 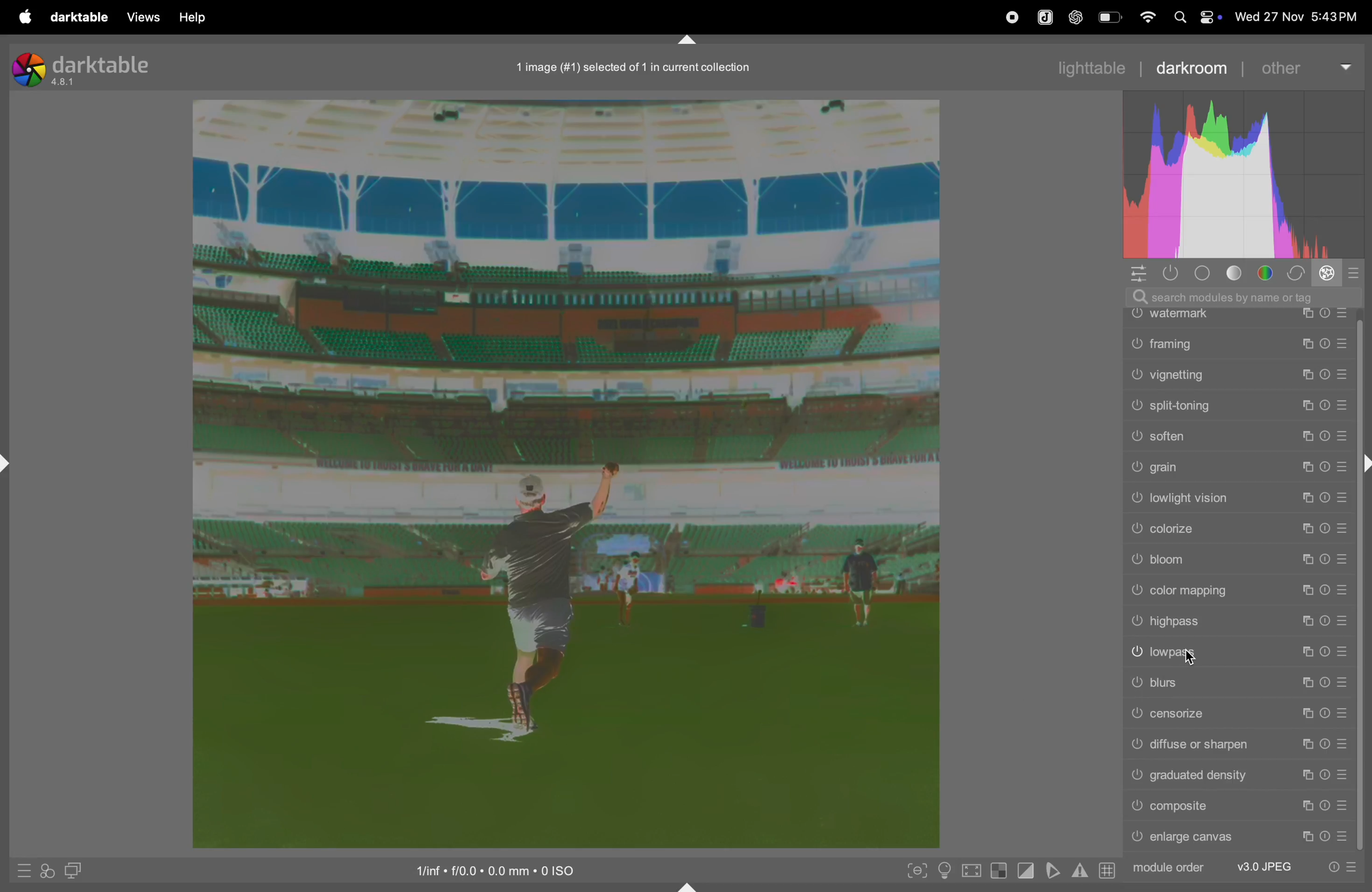 What do you see at coordinates (82, 68) in the screenshot?
I see `dark table version` at bounding box center [82, 68].